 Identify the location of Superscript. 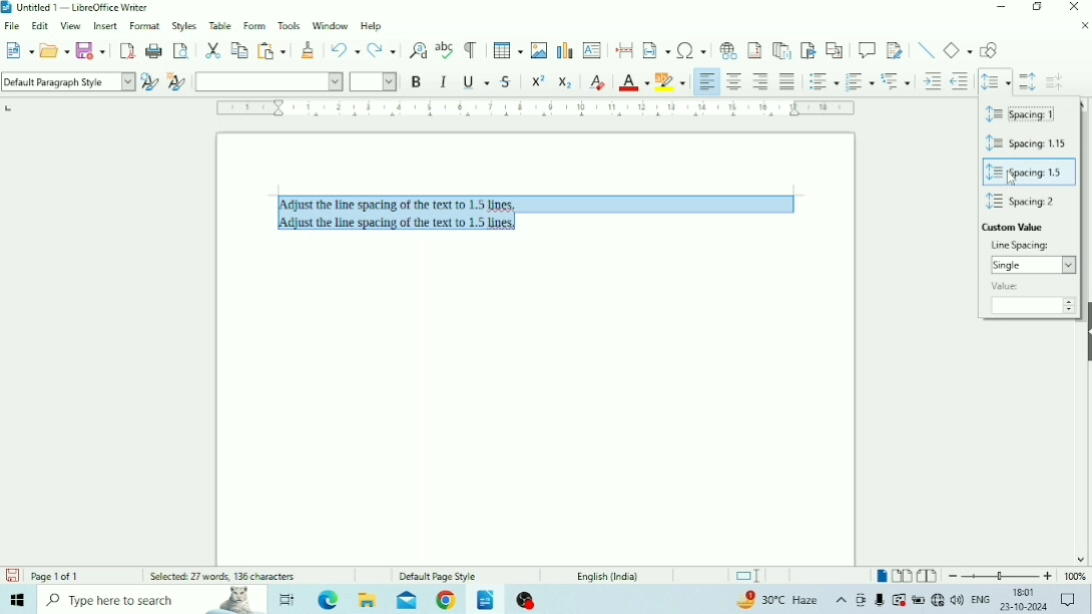
(538, 81).